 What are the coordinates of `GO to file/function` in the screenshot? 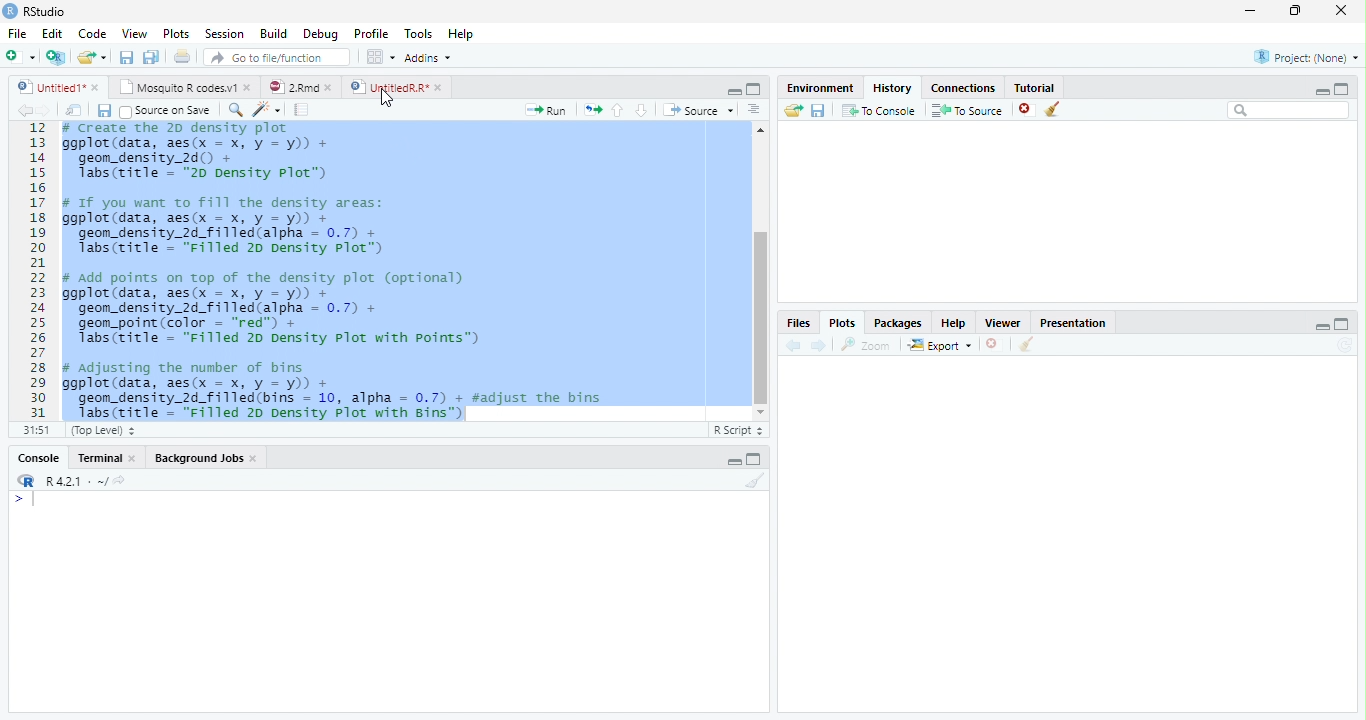 It's located at (273, 57).